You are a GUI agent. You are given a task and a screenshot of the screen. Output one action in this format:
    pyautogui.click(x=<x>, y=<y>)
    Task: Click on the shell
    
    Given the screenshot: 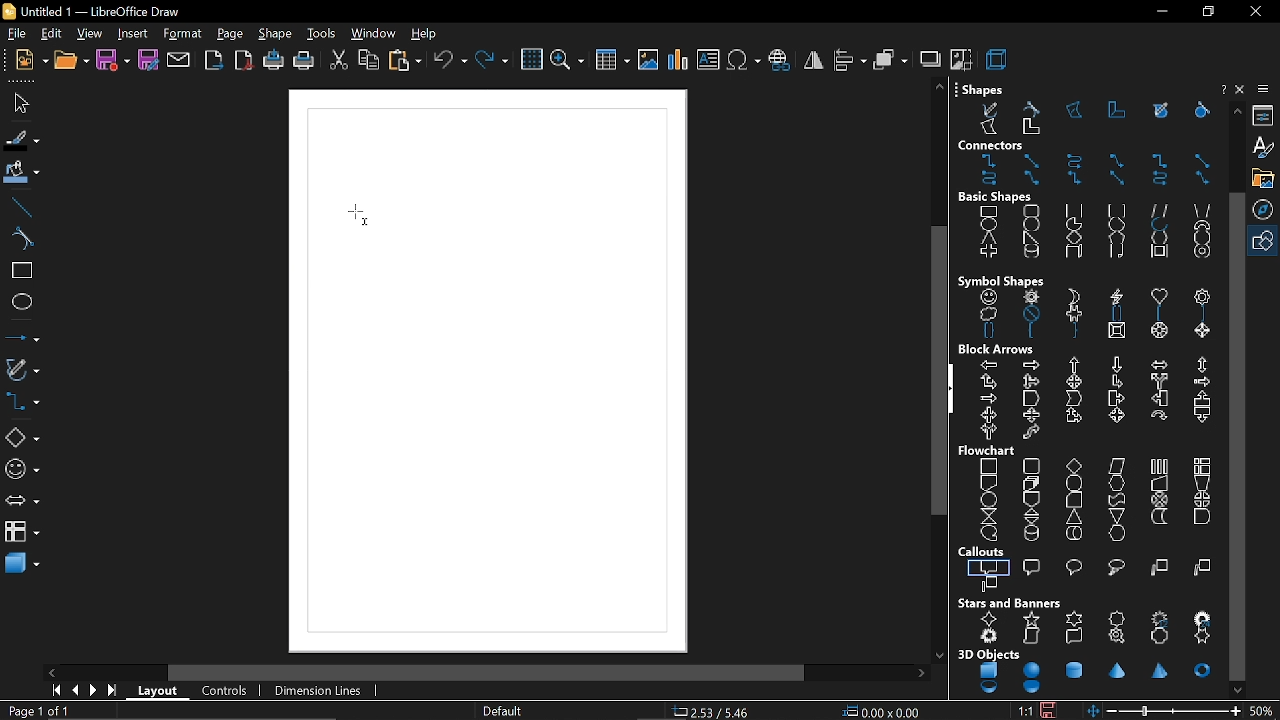 What is the action you would take?
    pyautogui.click(x=991, y=688)
    